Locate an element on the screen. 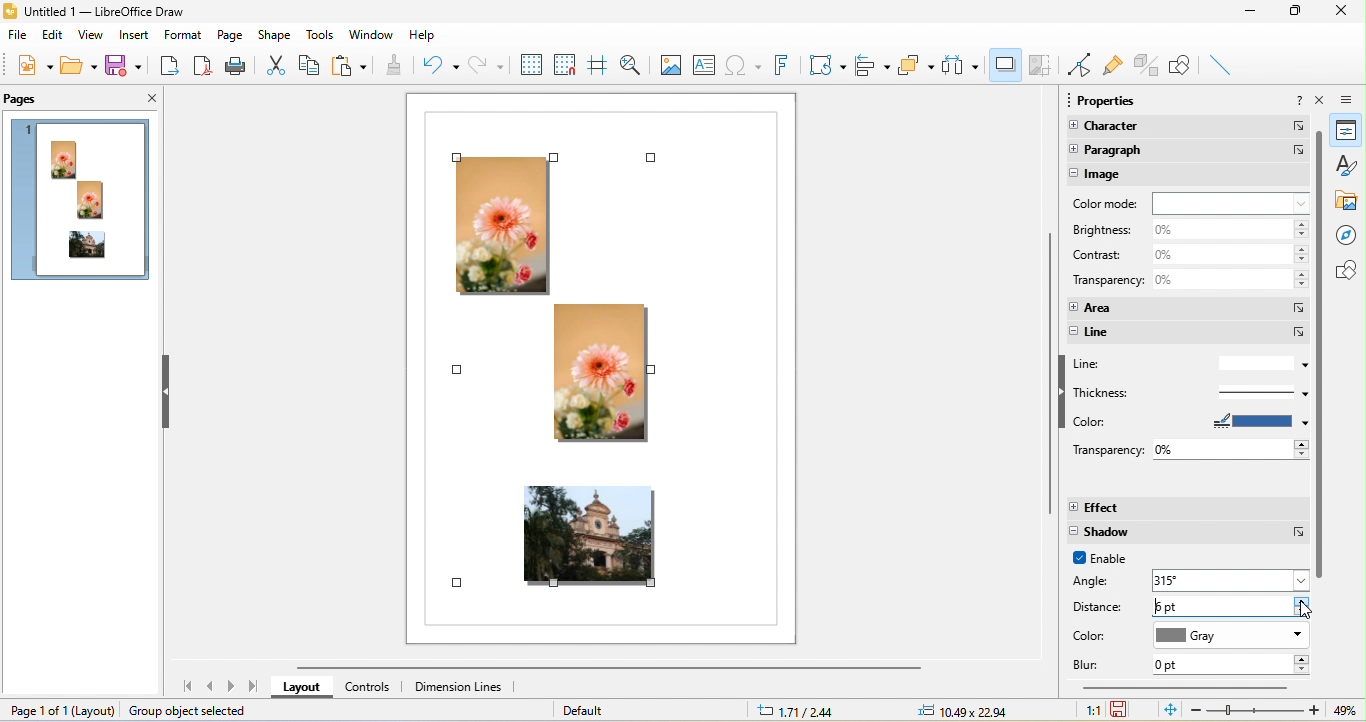  paste is located at coordinates (351, 66).